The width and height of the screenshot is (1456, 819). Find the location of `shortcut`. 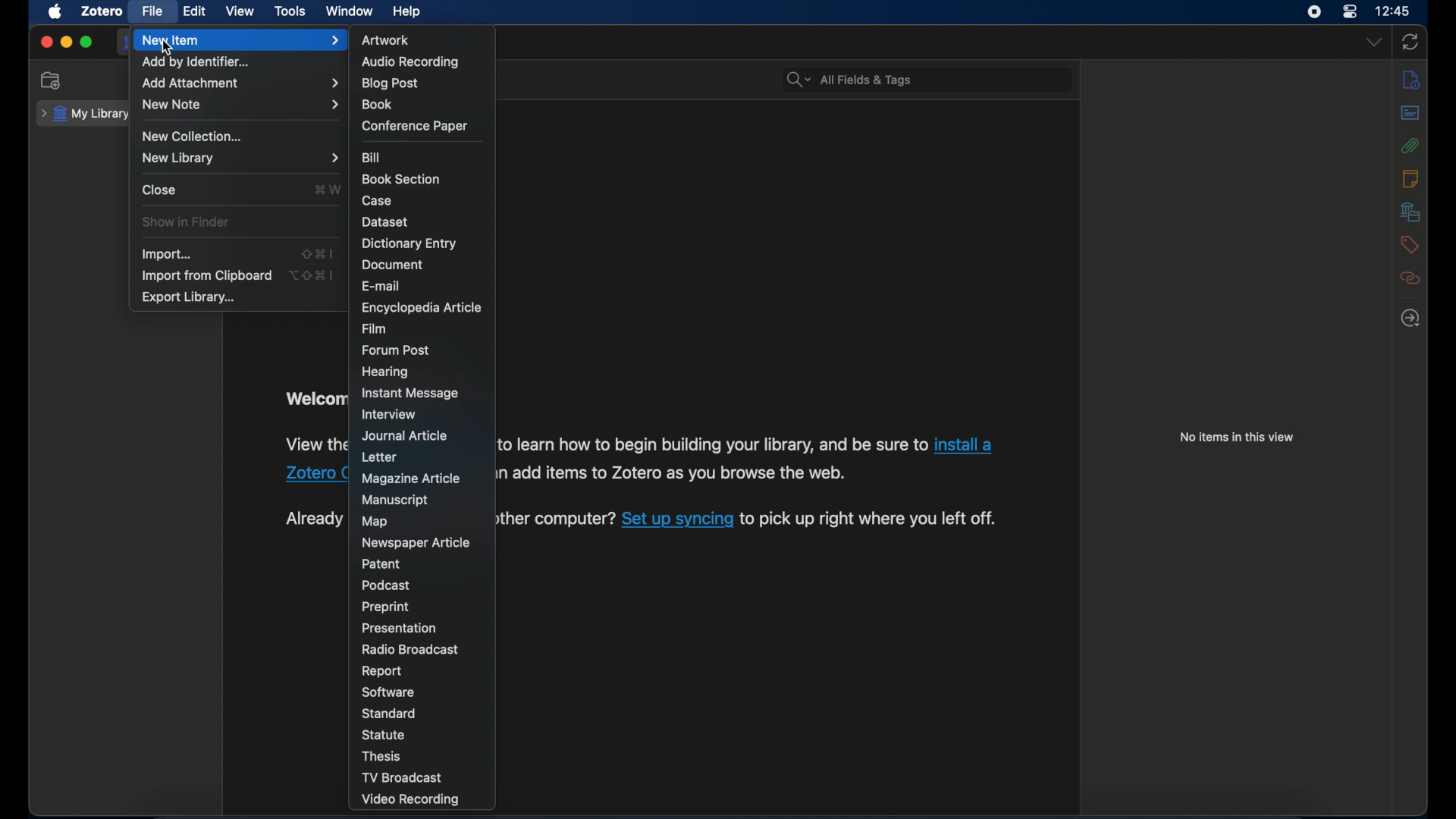

shortcut is located at coordinates (311, 275).